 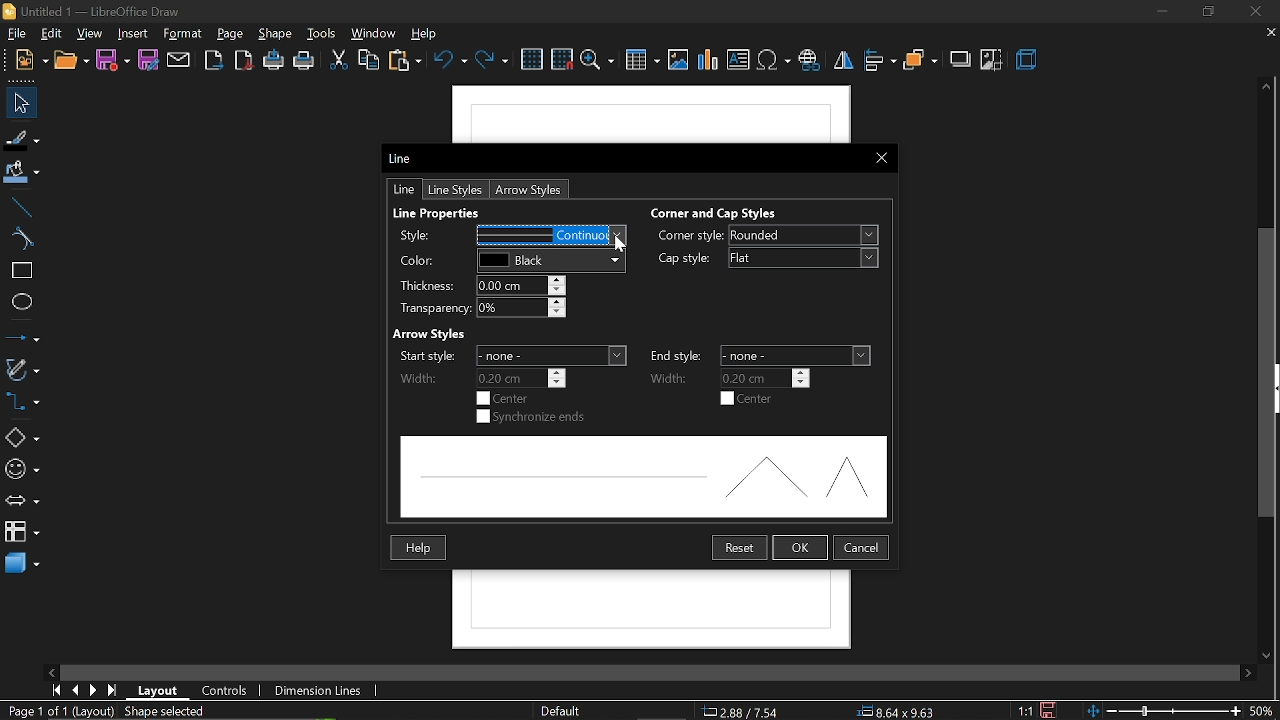 I want to click on arrows, so click(x=22, y=501).